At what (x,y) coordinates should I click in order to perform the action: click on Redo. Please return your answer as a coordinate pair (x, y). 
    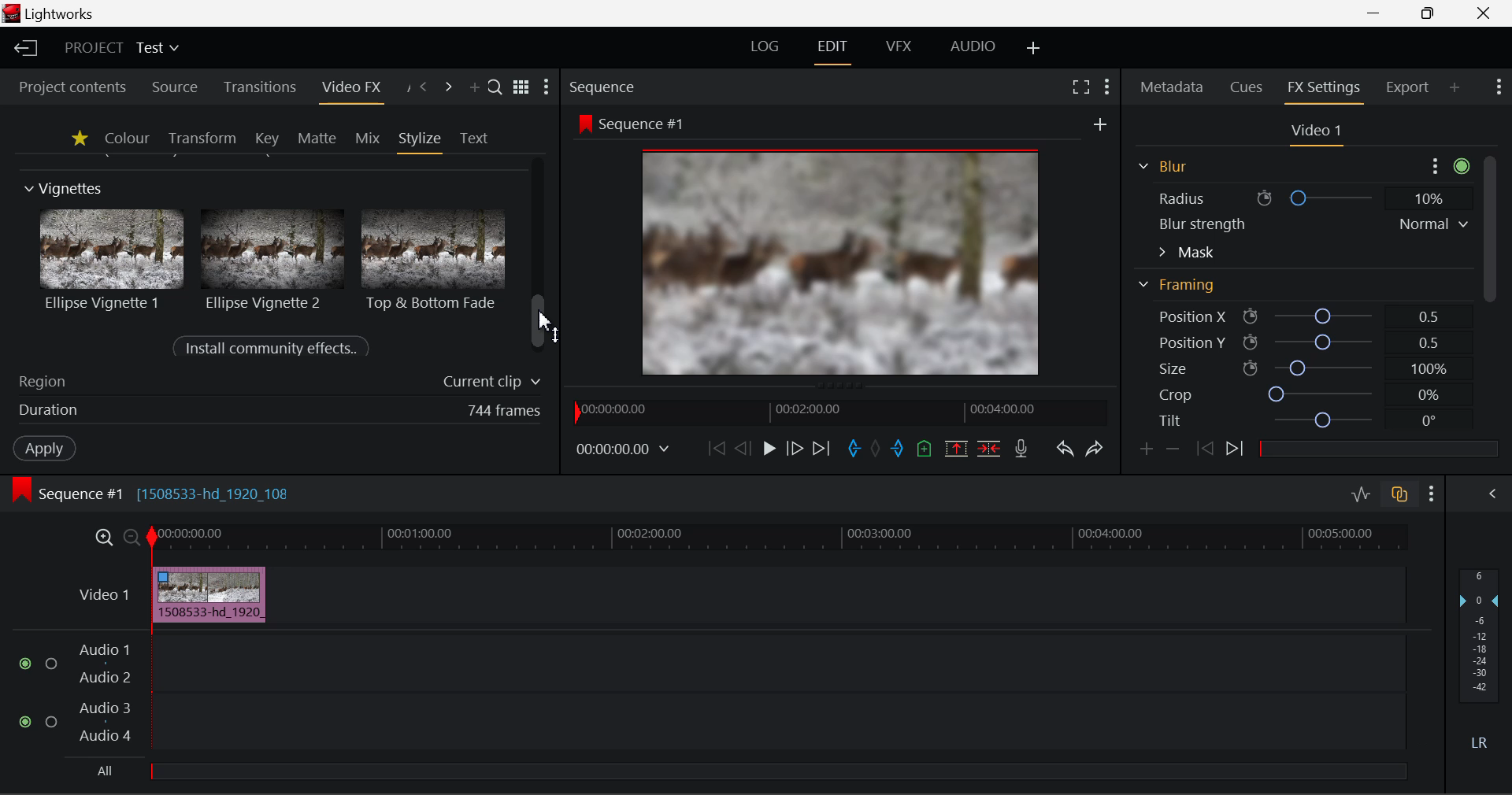
    Looking at the image, I should click on (1092, 447).